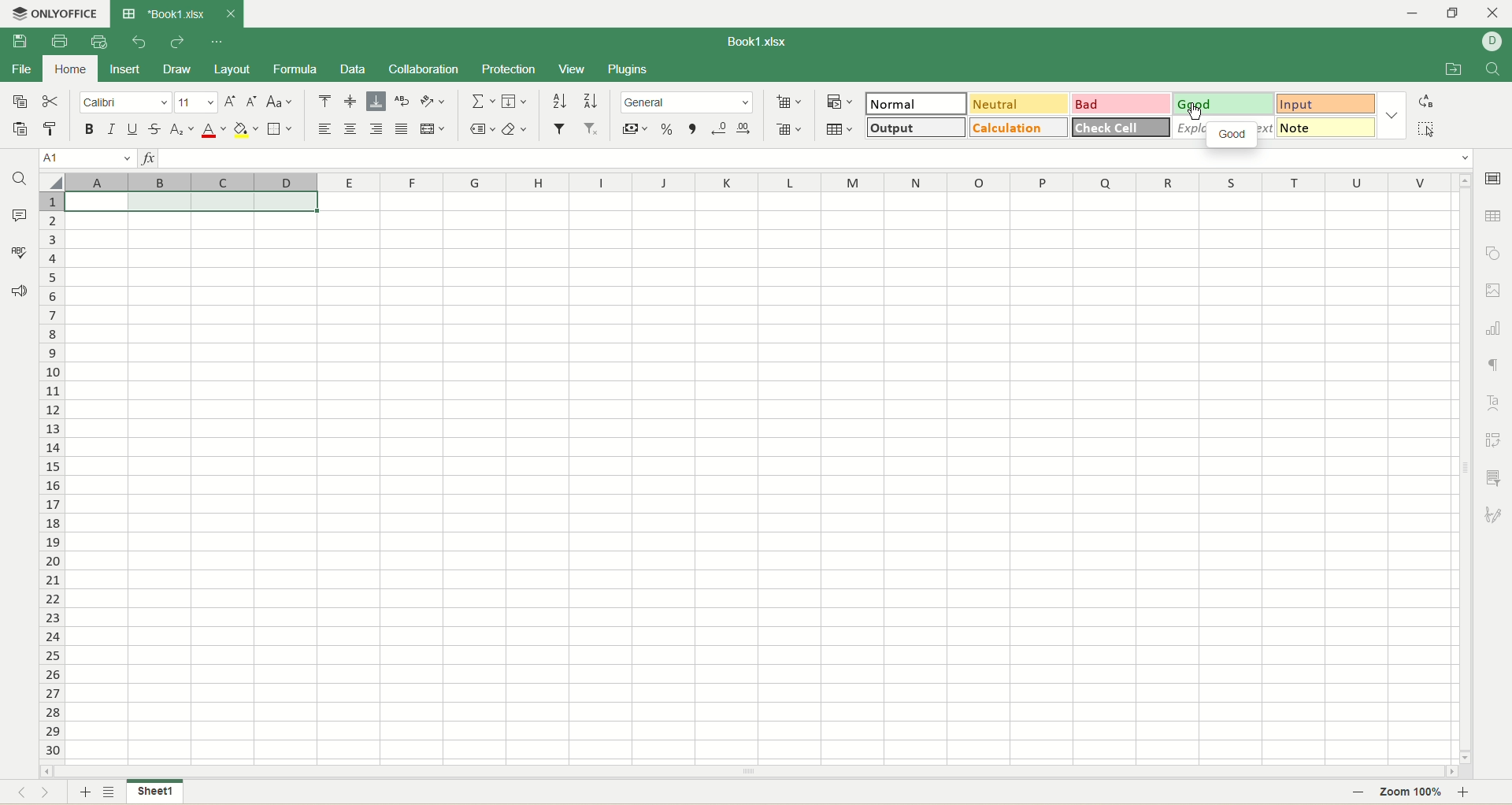 The width and height of the screenshot is (1512, 805). Describe the element at coordinates (350, 131) in the screenshot. I see `align center` at that location.